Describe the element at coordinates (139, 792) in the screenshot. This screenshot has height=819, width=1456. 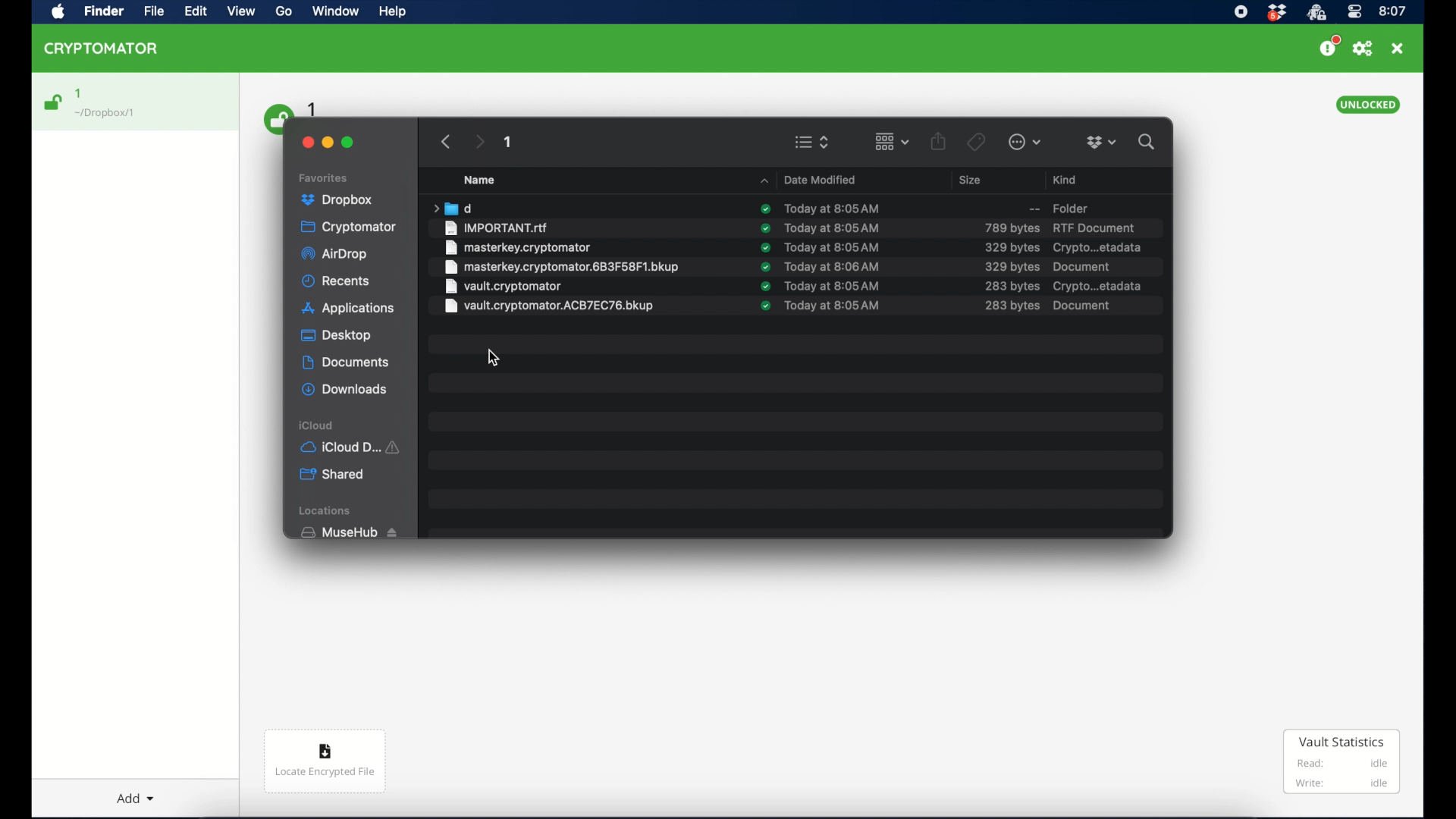
I see `Add dropdown` at that location.